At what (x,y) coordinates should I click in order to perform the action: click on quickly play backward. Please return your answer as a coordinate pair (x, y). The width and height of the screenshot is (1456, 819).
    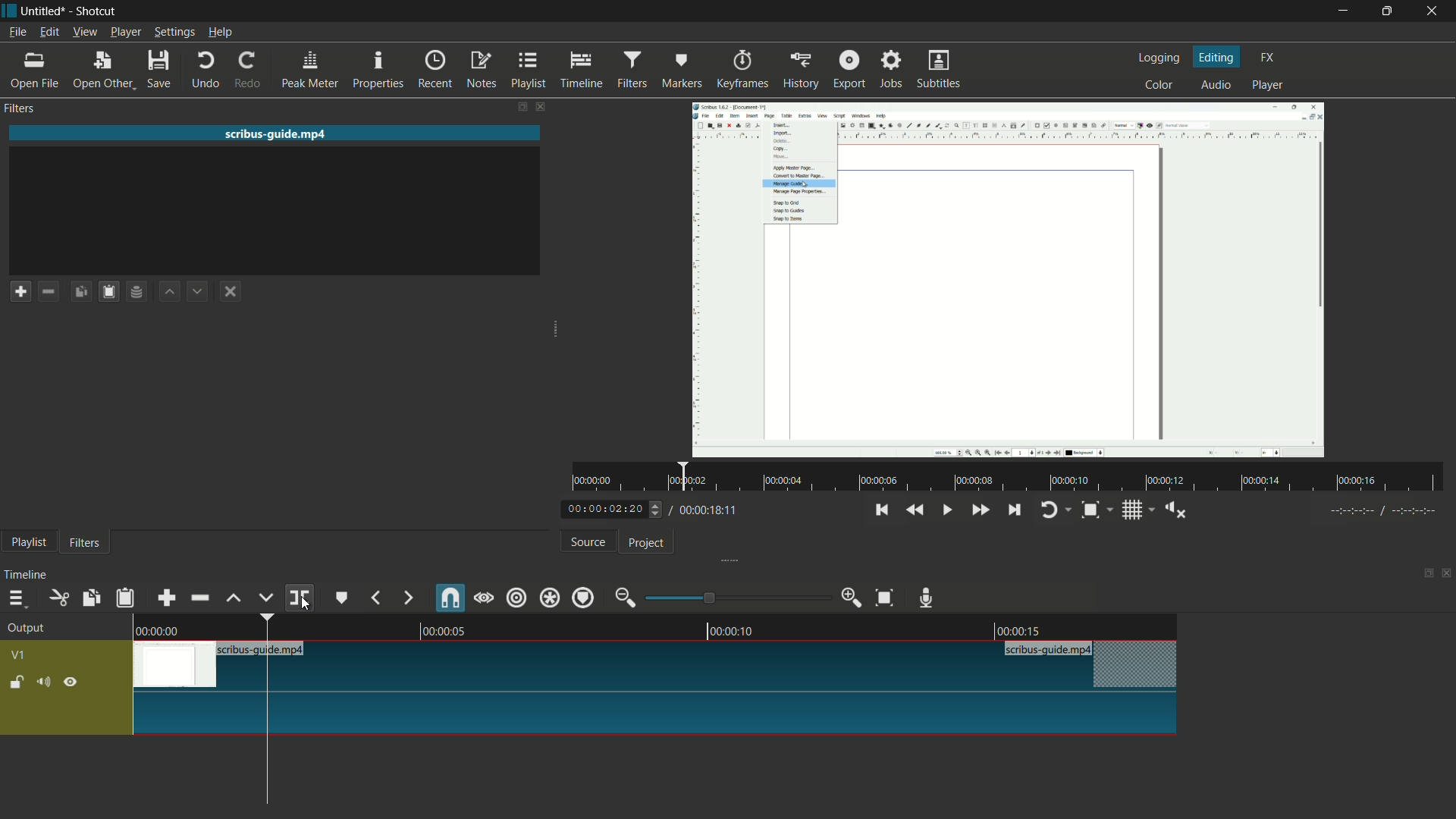
    Looking at the image, I should click on (918, 510).